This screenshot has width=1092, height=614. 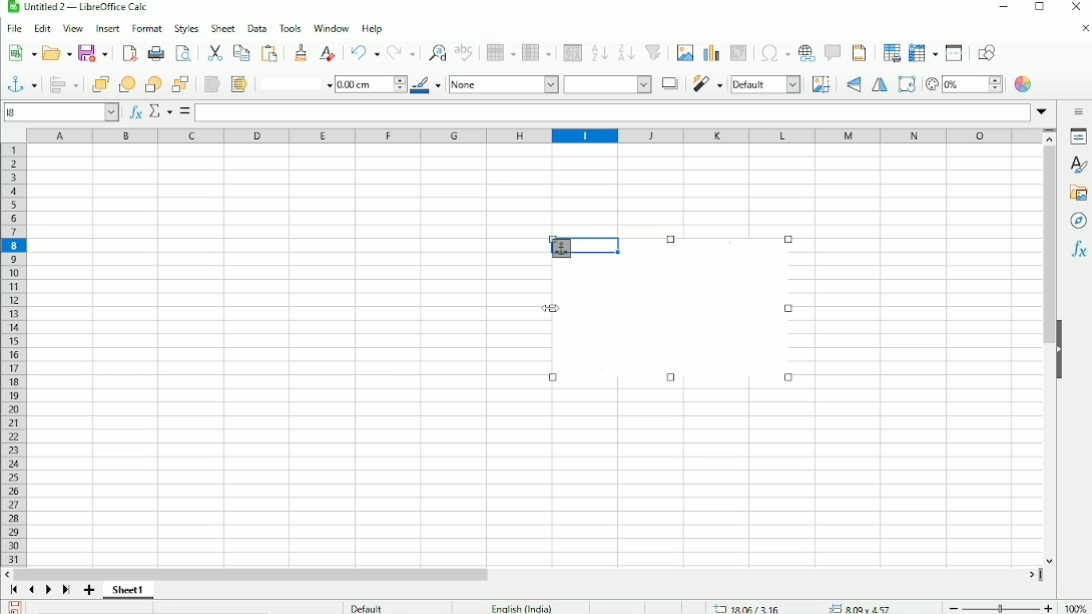 I want to click on Edit, so click(x=42, y=29).